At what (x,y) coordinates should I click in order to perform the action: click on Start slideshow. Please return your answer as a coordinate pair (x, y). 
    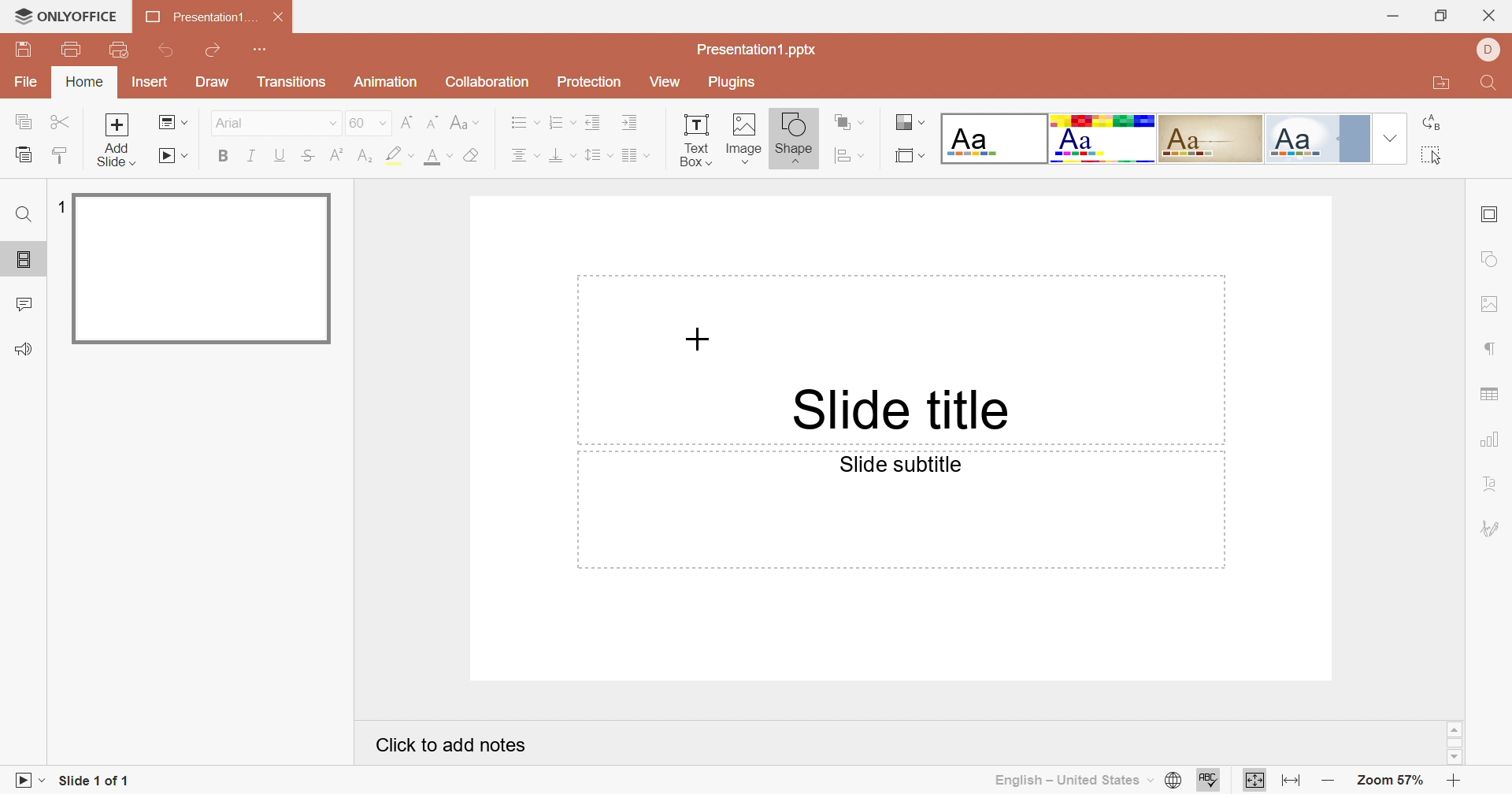
    Looking at the image, I should click on (173, 156).